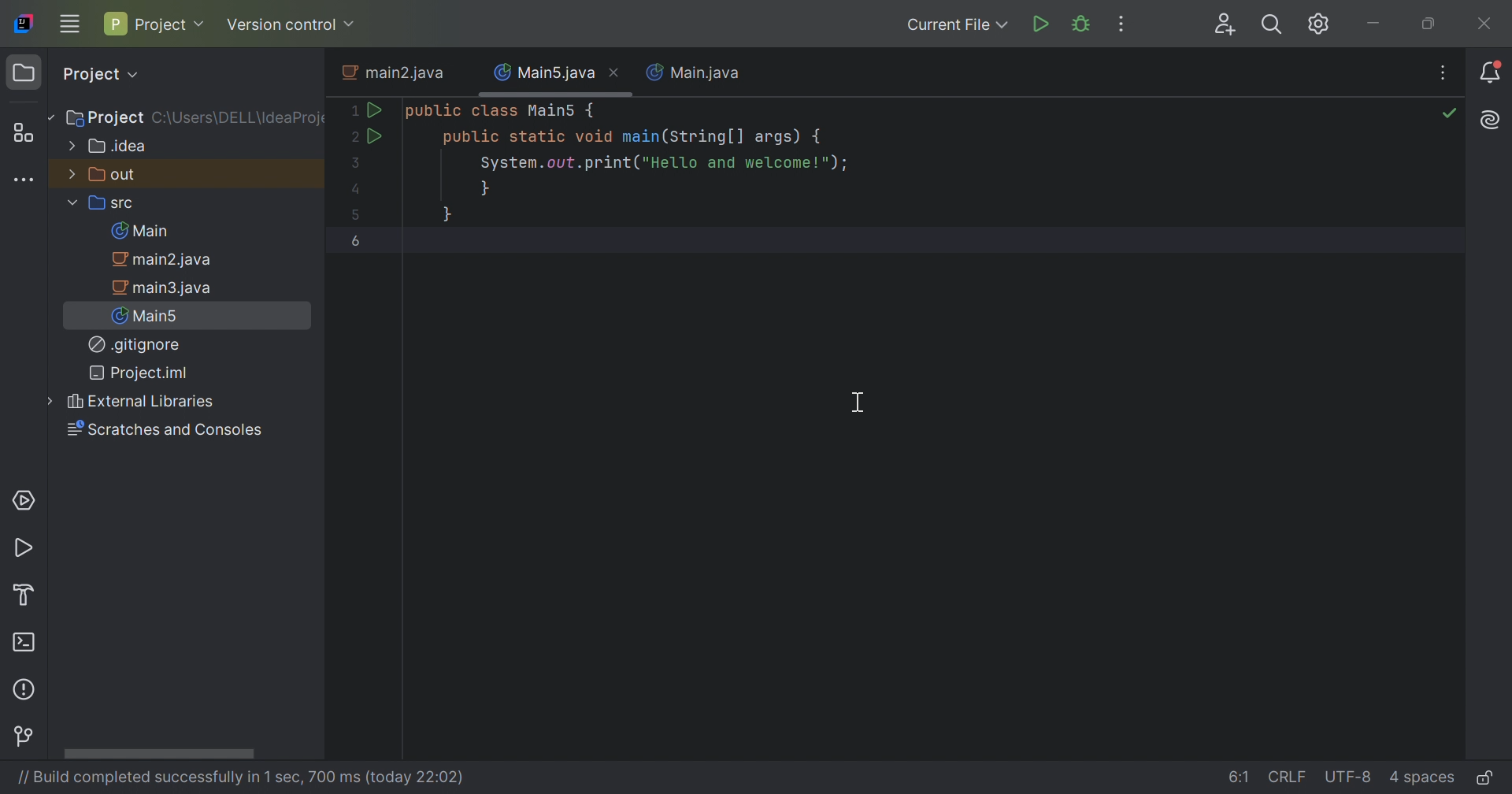 This screenshot has height=794, width=1512. What do you see at coordinates (485, 189) in the screenshot?
I see `}` at bounding box center [485, 189].